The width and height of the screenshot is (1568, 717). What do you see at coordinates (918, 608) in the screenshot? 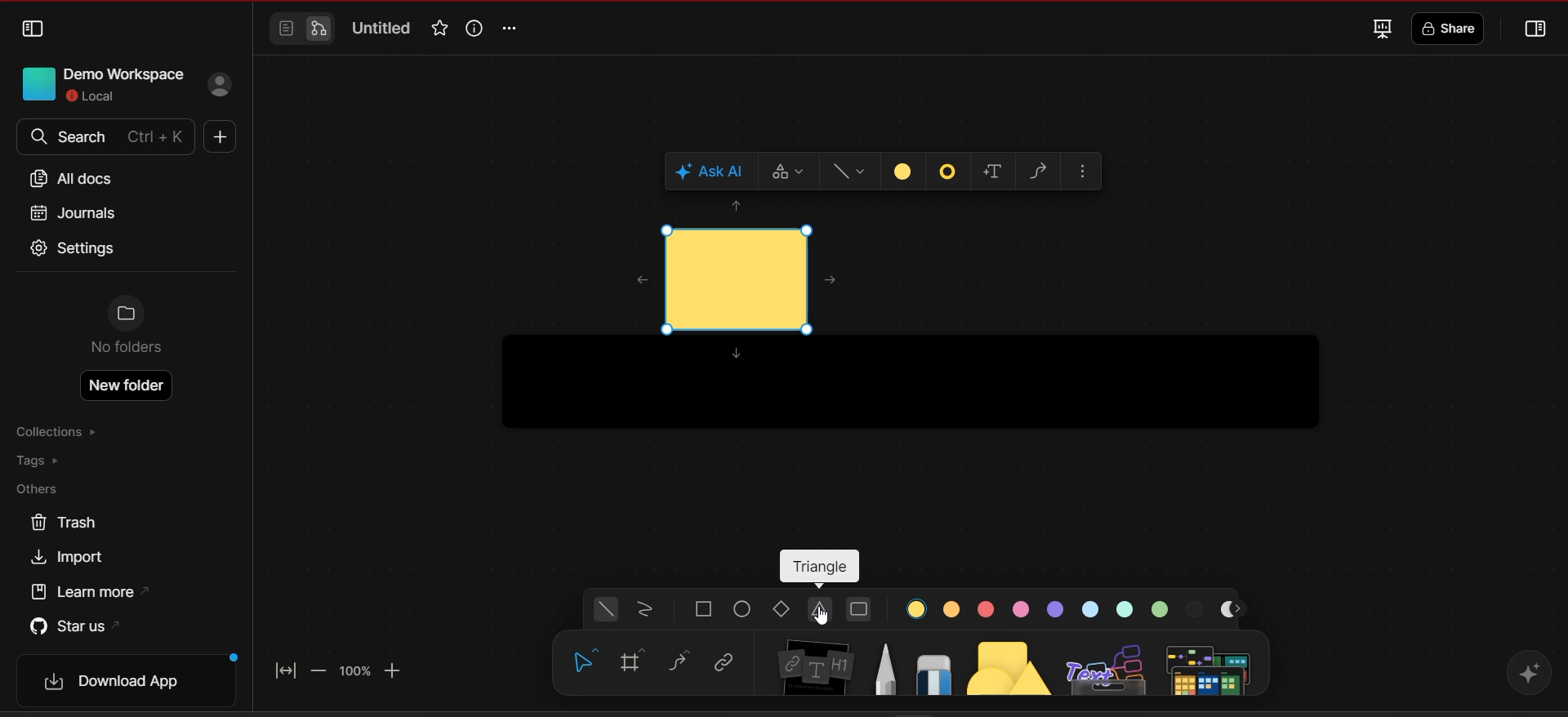
I see `color 1` at bounding box center [918, 608].